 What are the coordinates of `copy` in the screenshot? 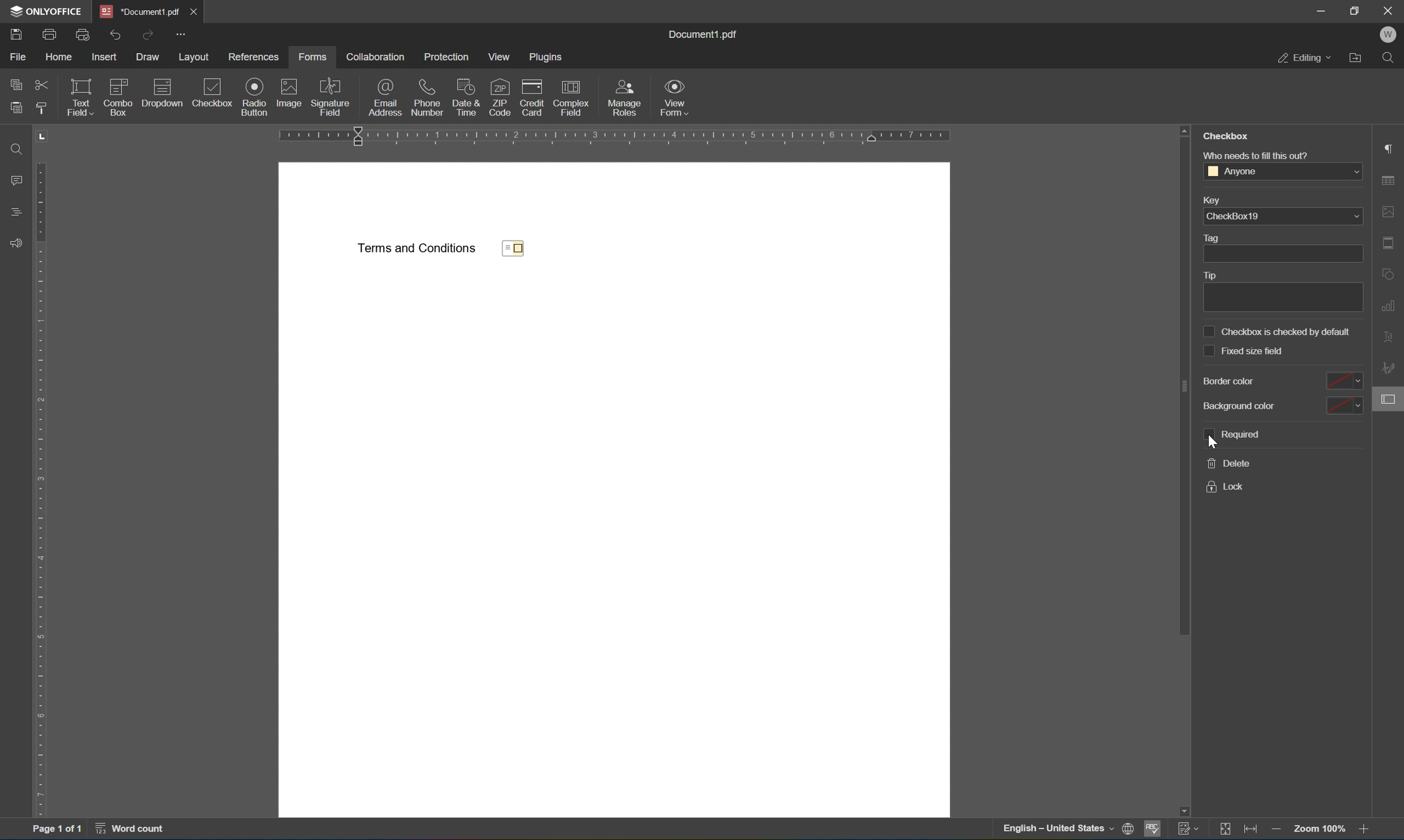 It's located at (17, 84).